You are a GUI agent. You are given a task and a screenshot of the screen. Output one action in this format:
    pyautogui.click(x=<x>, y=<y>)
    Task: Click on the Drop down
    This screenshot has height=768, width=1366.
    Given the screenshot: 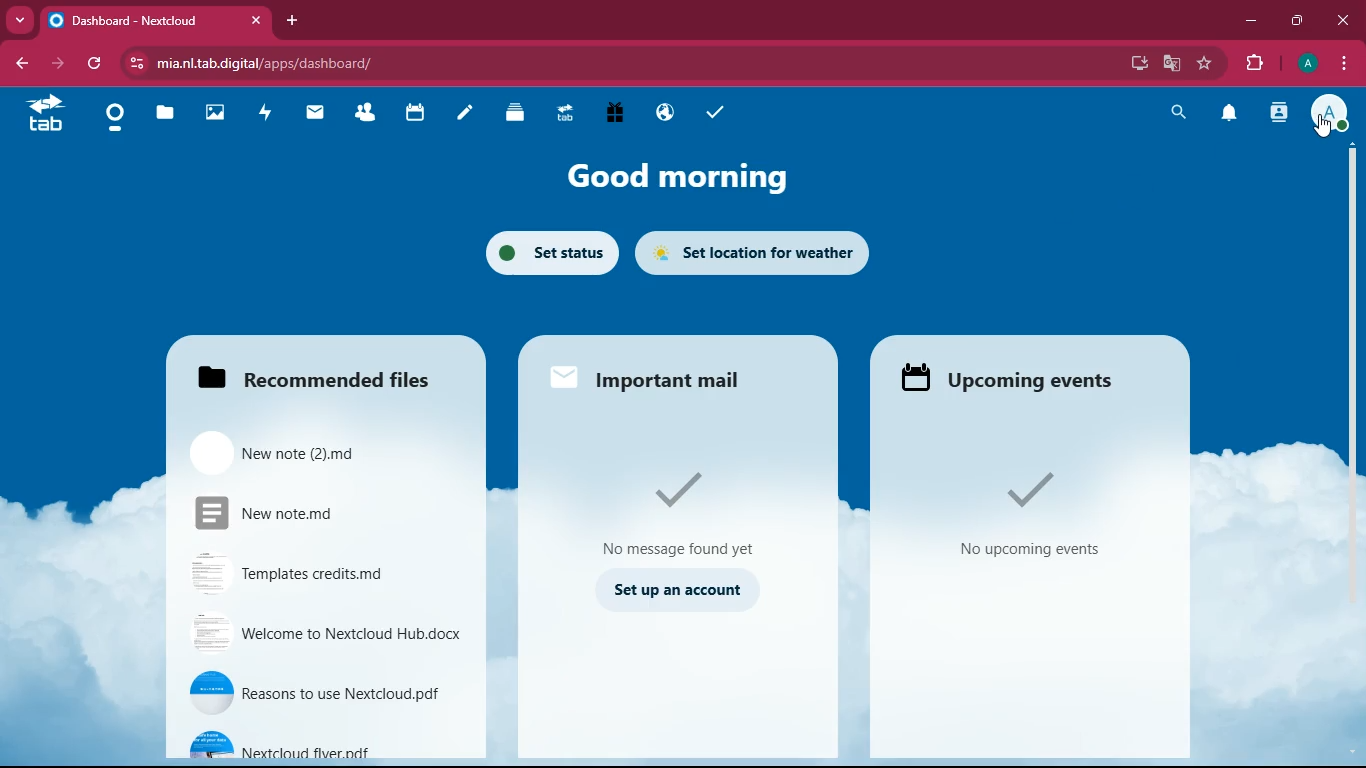 What is the action you would take?
    pyautogui.click(x=21, y=21)
    